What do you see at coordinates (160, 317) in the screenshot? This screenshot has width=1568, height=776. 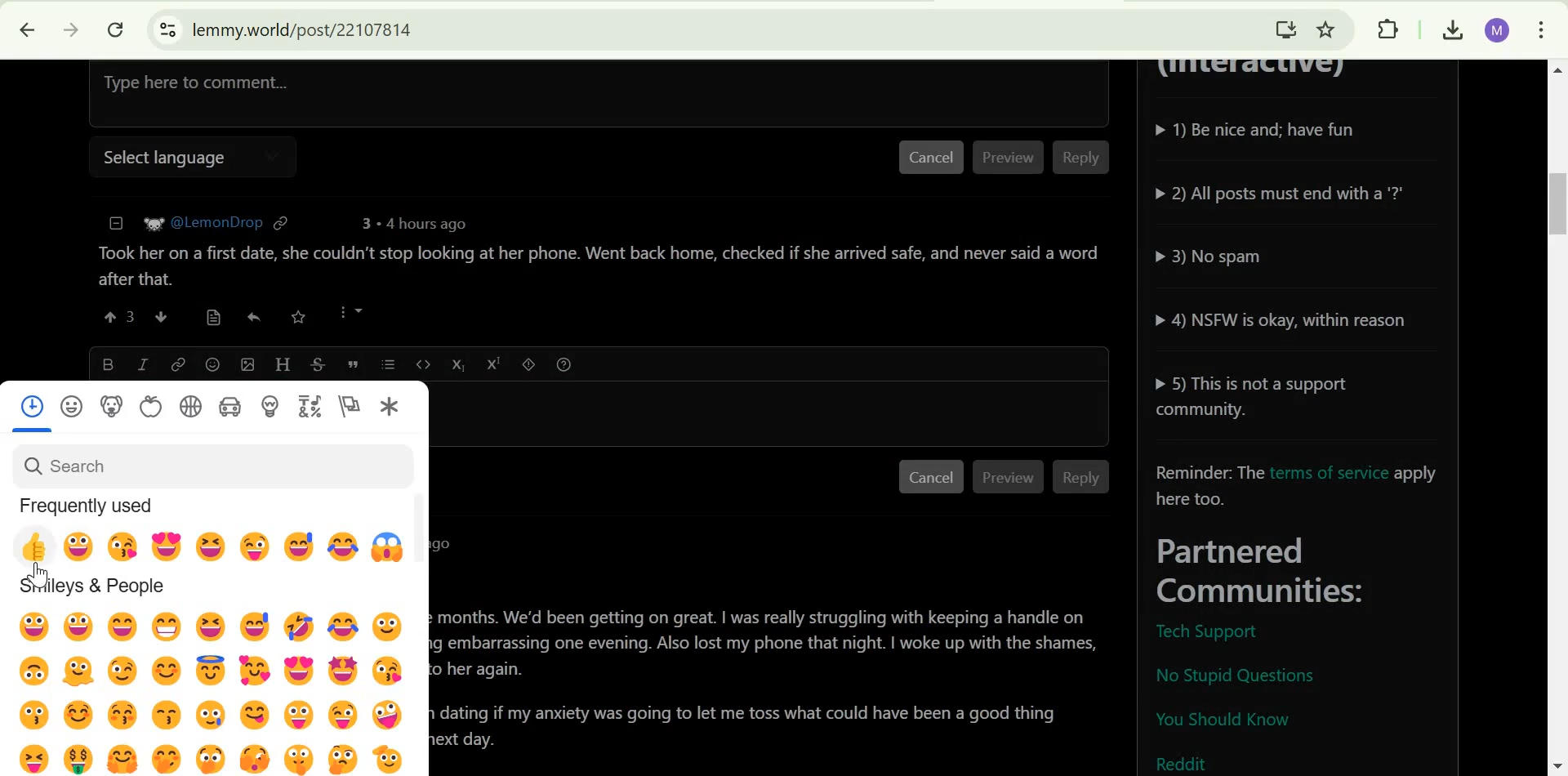 I see `downvote` at bounding box center [160, 317].